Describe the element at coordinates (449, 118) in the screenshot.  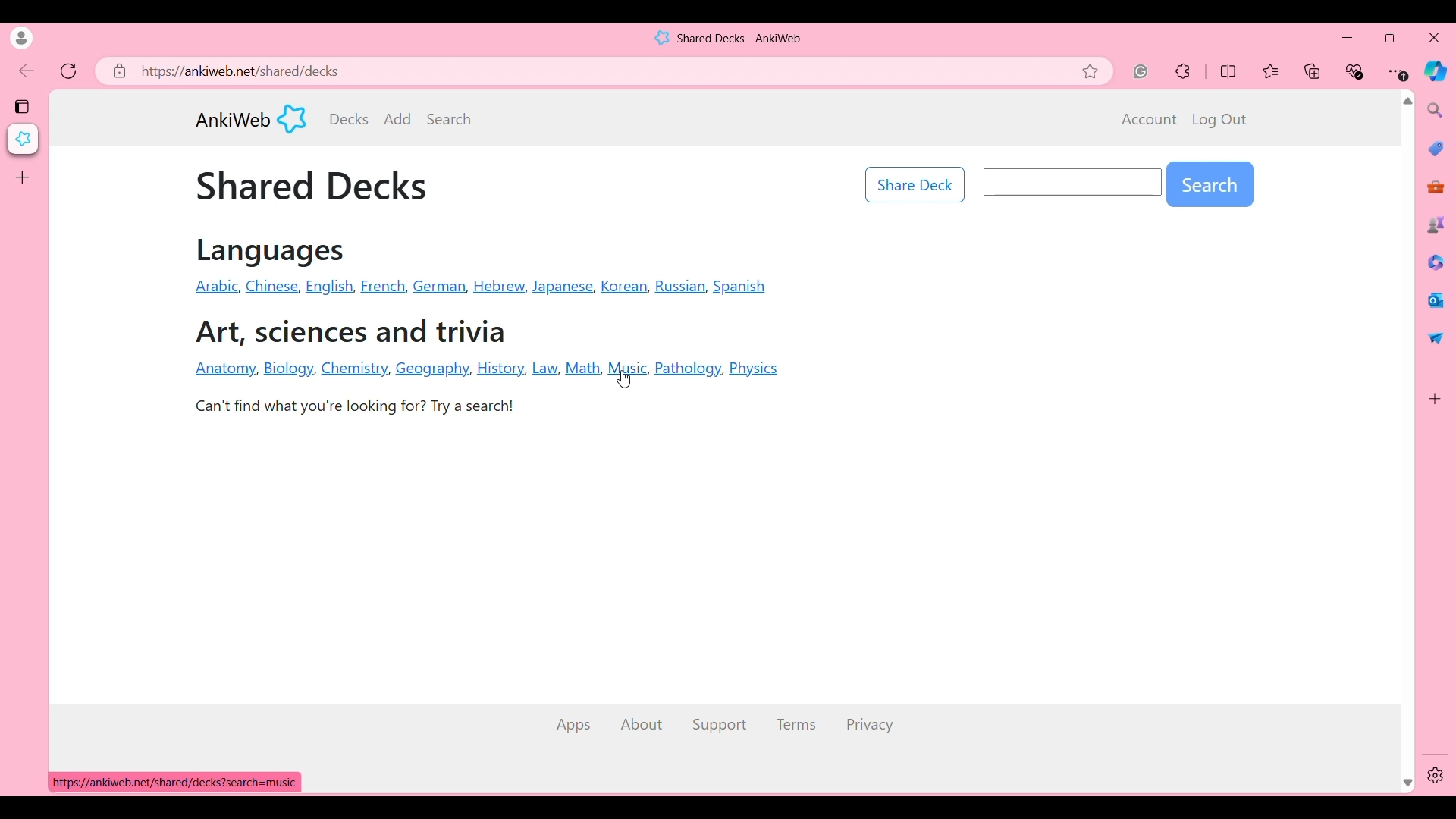
I see `Search` at that location.